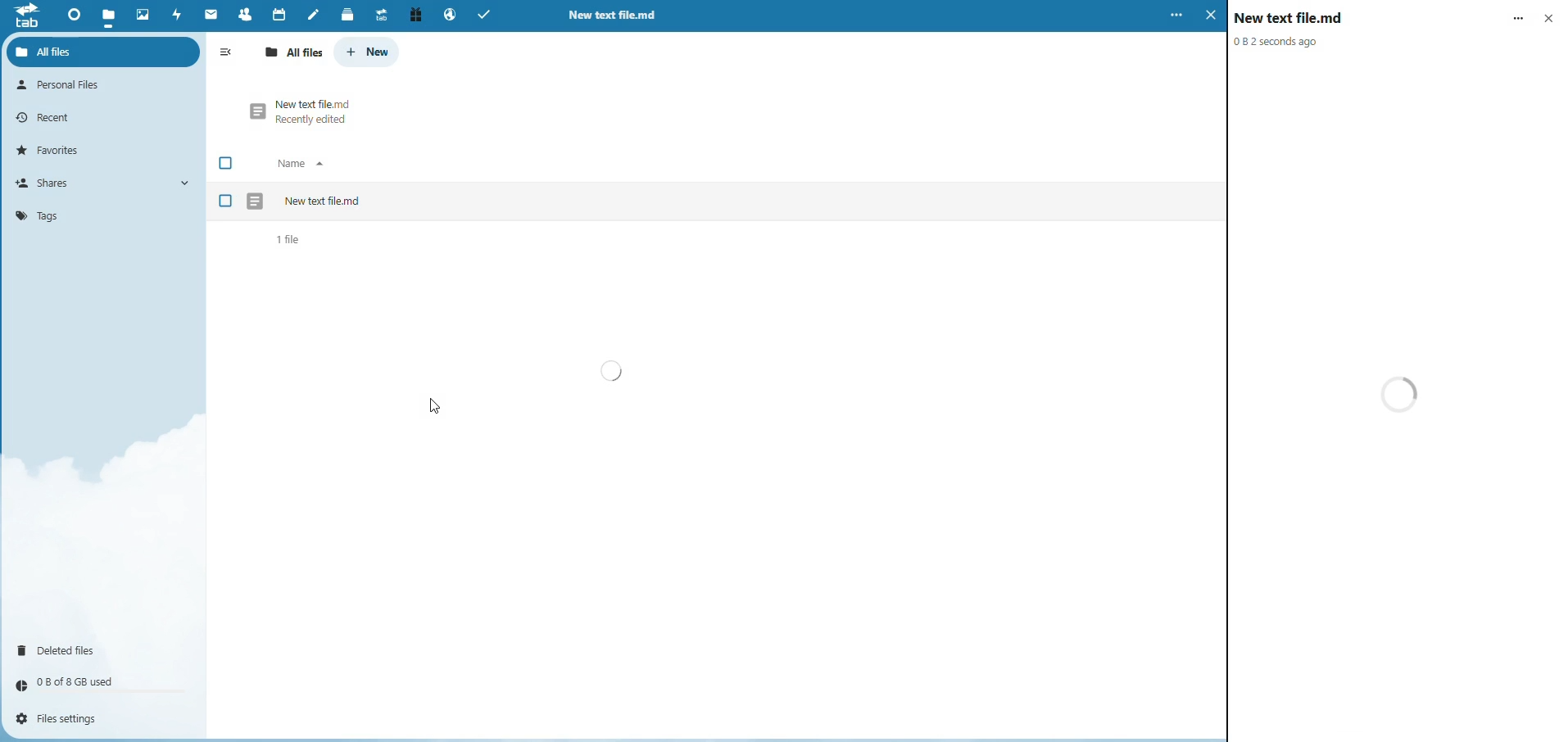 The height and width of the screenshot is (742, 1568). Describe the element at coordinates (434, 405) in the screenshot. I see `Cursor` at that location.